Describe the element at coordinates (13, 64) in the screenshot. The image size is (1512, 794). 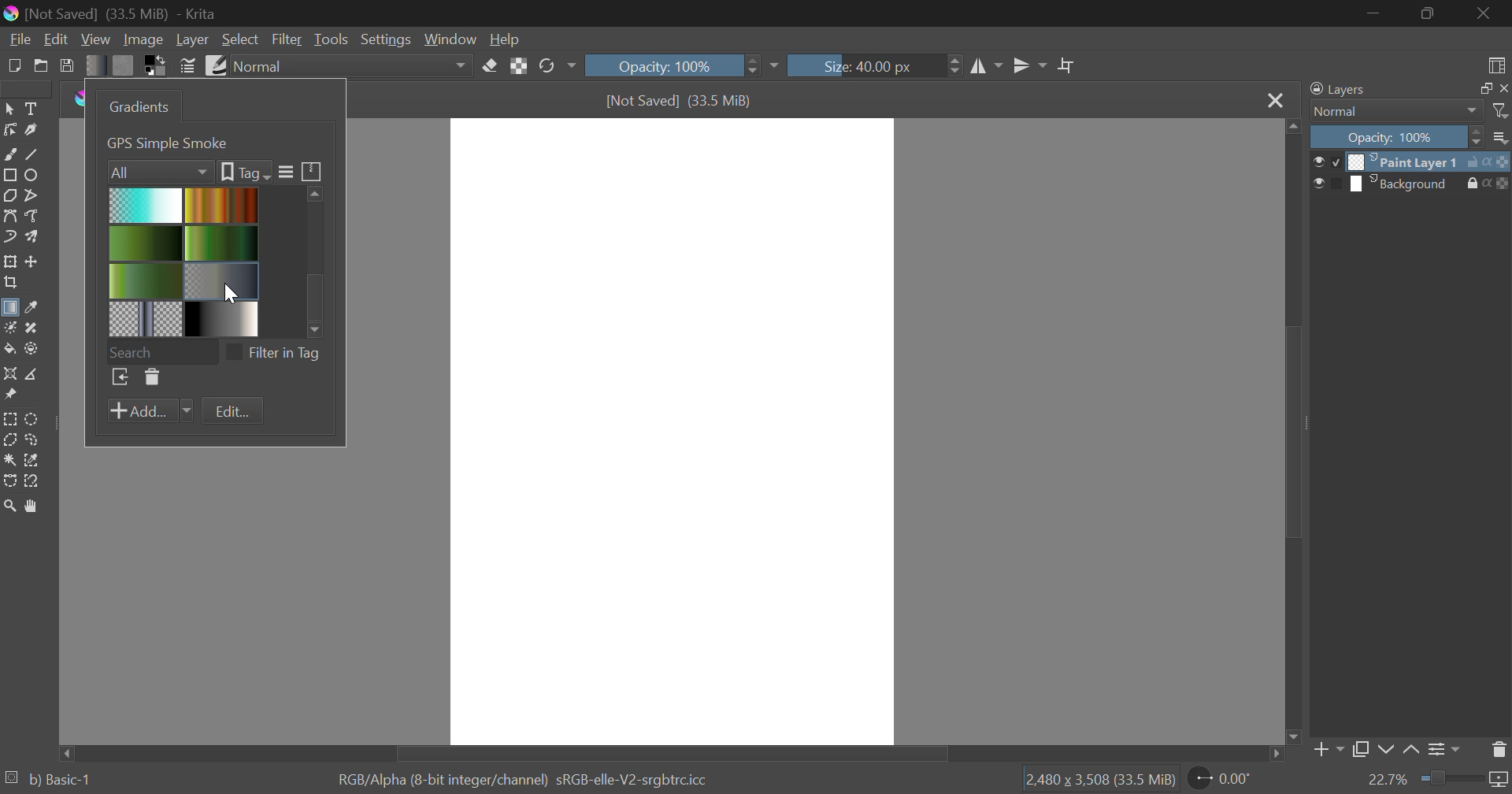
I see `New` at that location.